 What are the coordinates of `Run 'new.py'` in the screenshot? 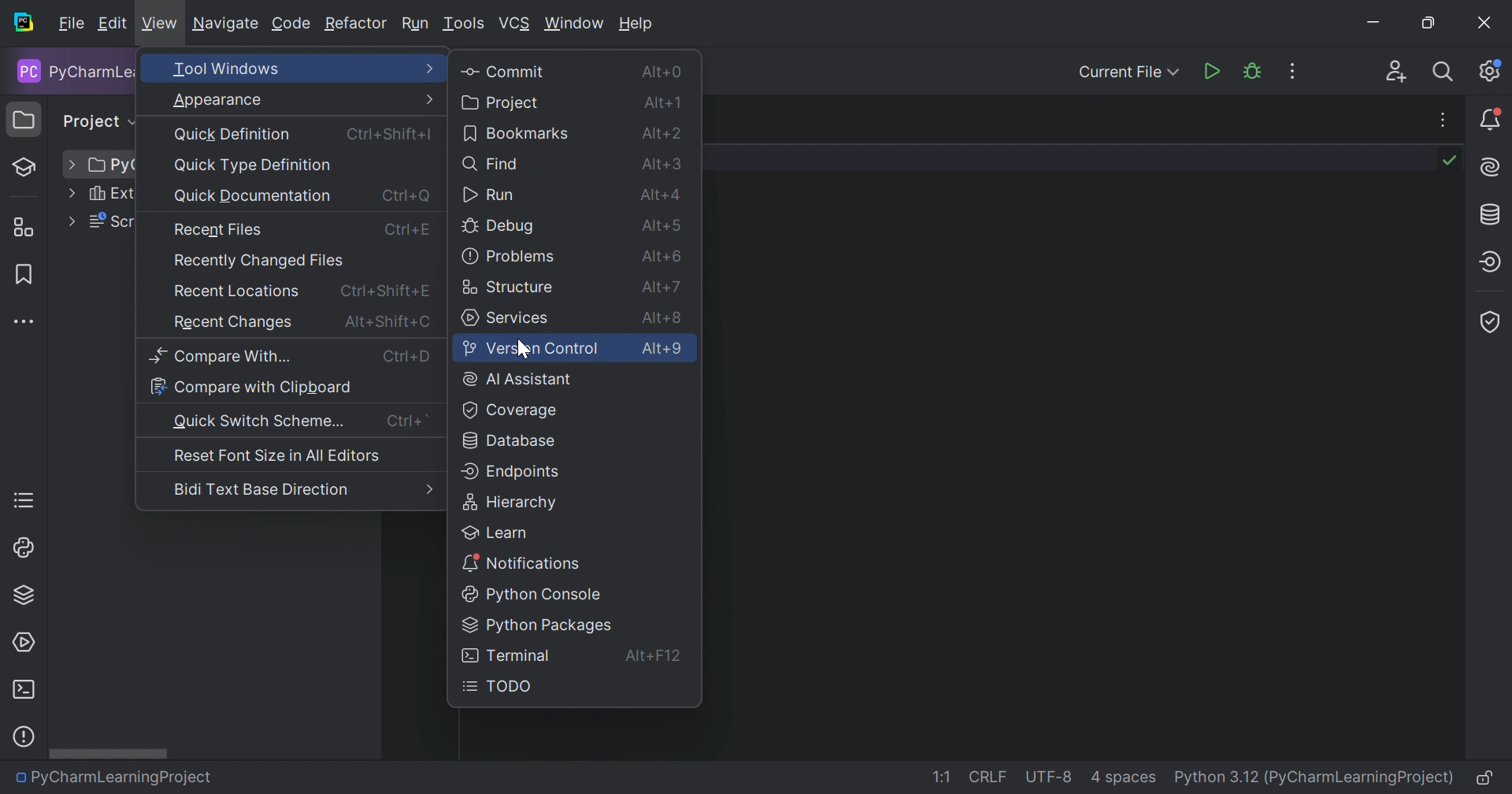 It's located at (1210, 74).